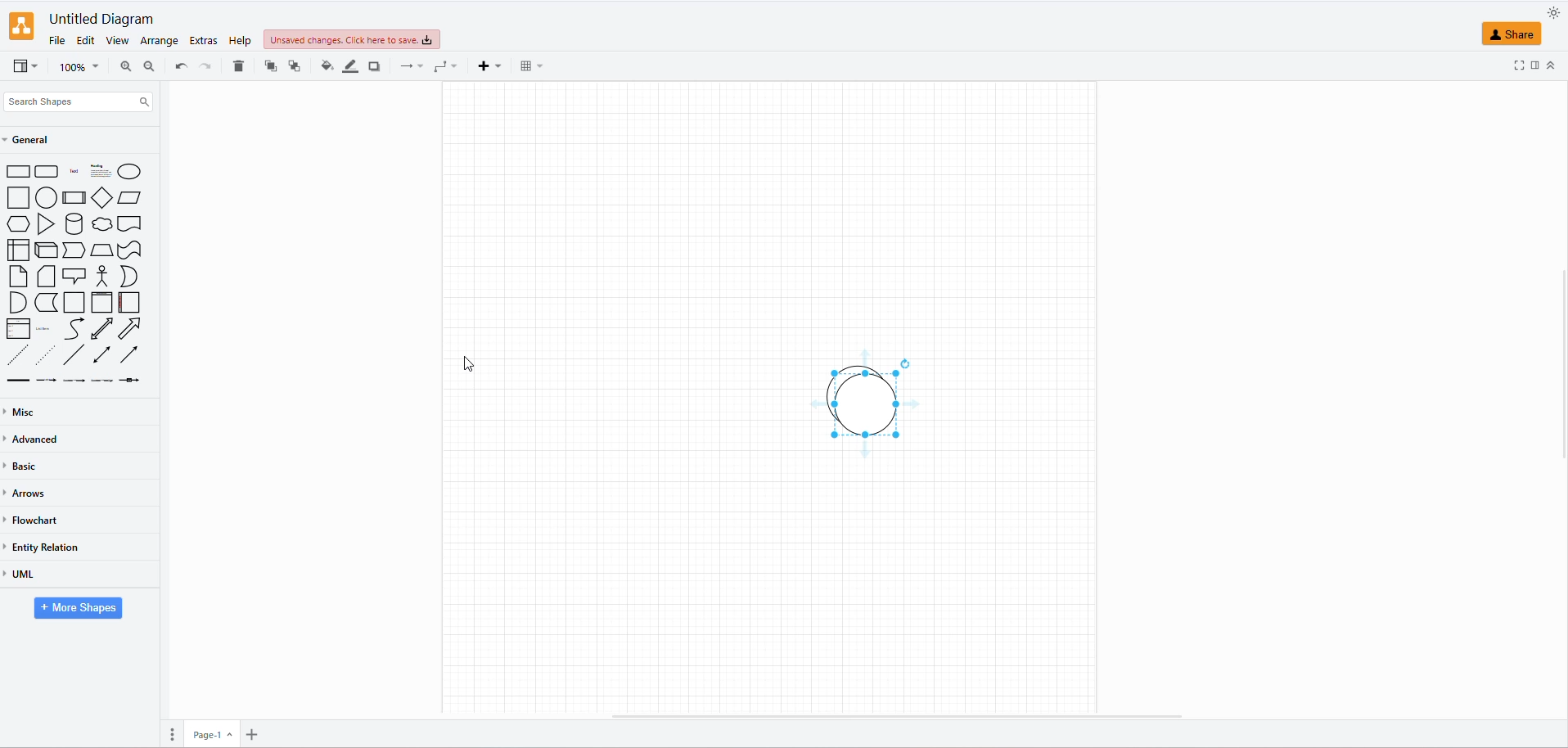 Image resolution: width=1568 pixels, height=748 pixels. What do you see at coordinates (127, 355) in the screenshot?
I see `DIRECTIONAL CONNECTOR` at bounding box center [127, 355].